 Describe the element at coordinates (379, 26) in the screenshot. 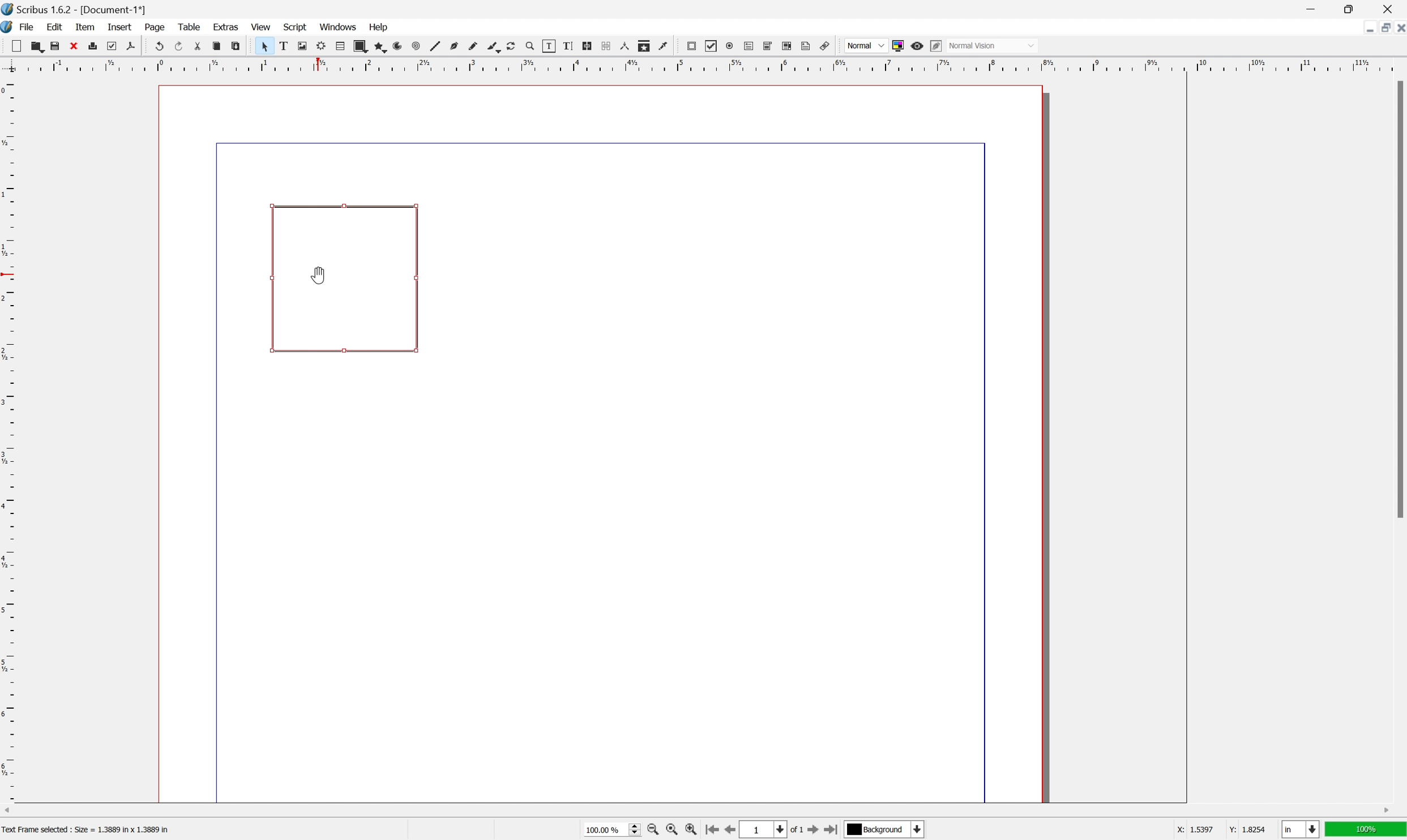

I see `help` at that location.